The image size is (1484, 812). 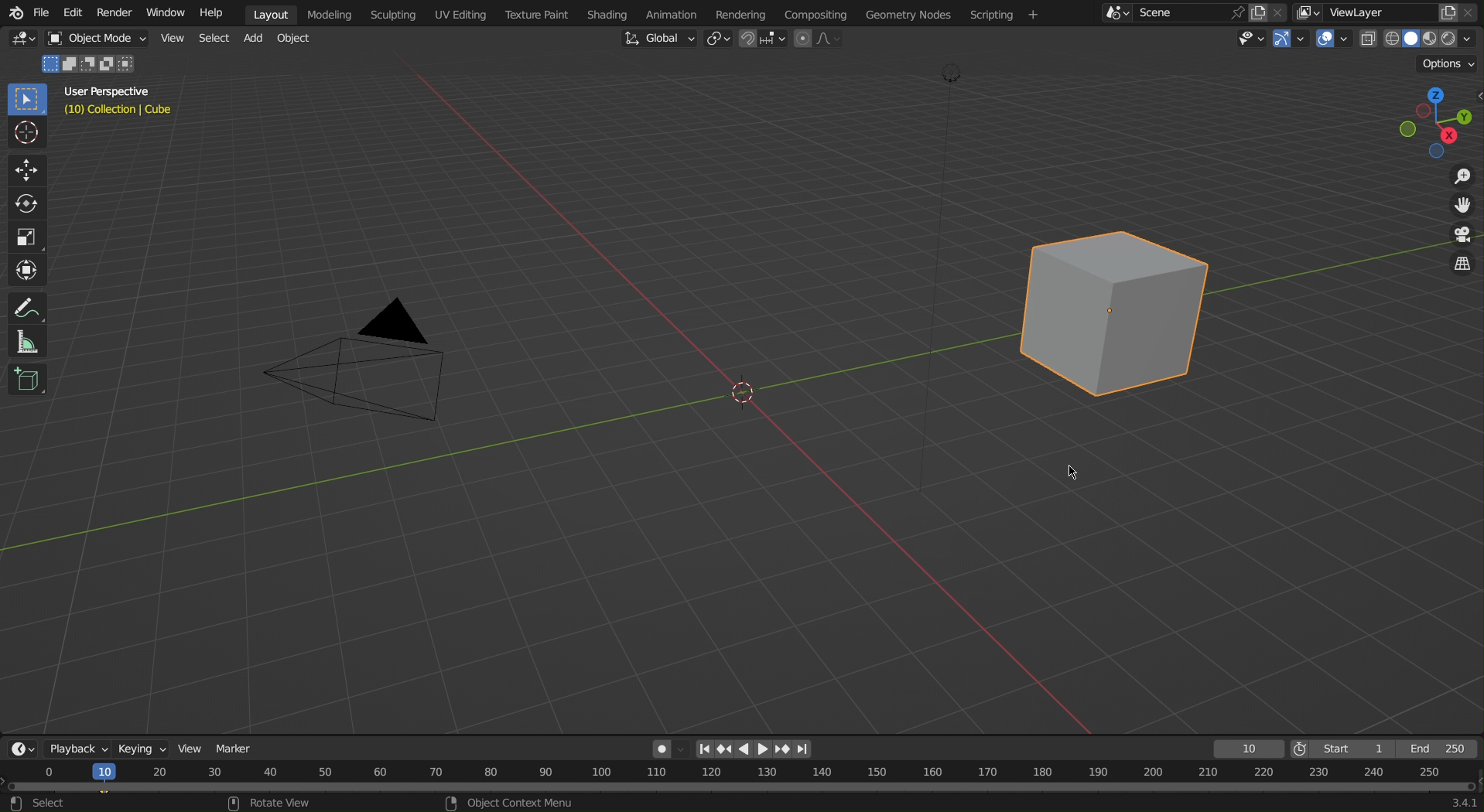 What do you see at coordinates (823, 12) in the screenshot?
I see `Compositing` at bounding box center [823, 12].